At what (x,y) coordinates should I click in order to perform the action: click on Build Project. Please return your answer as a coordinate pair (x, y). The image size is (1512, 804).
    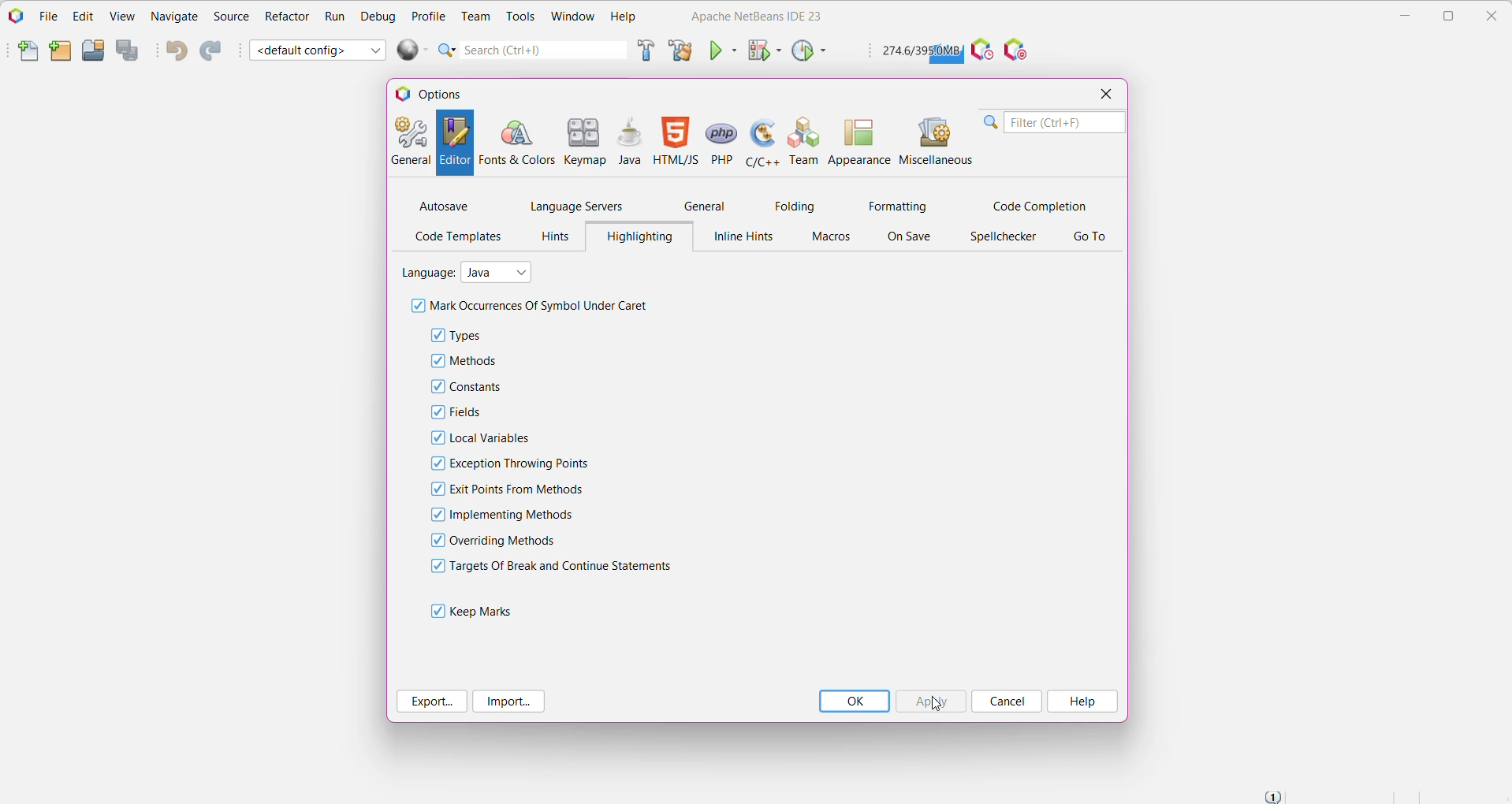
    Looking at the image, I should click on (644, 52).